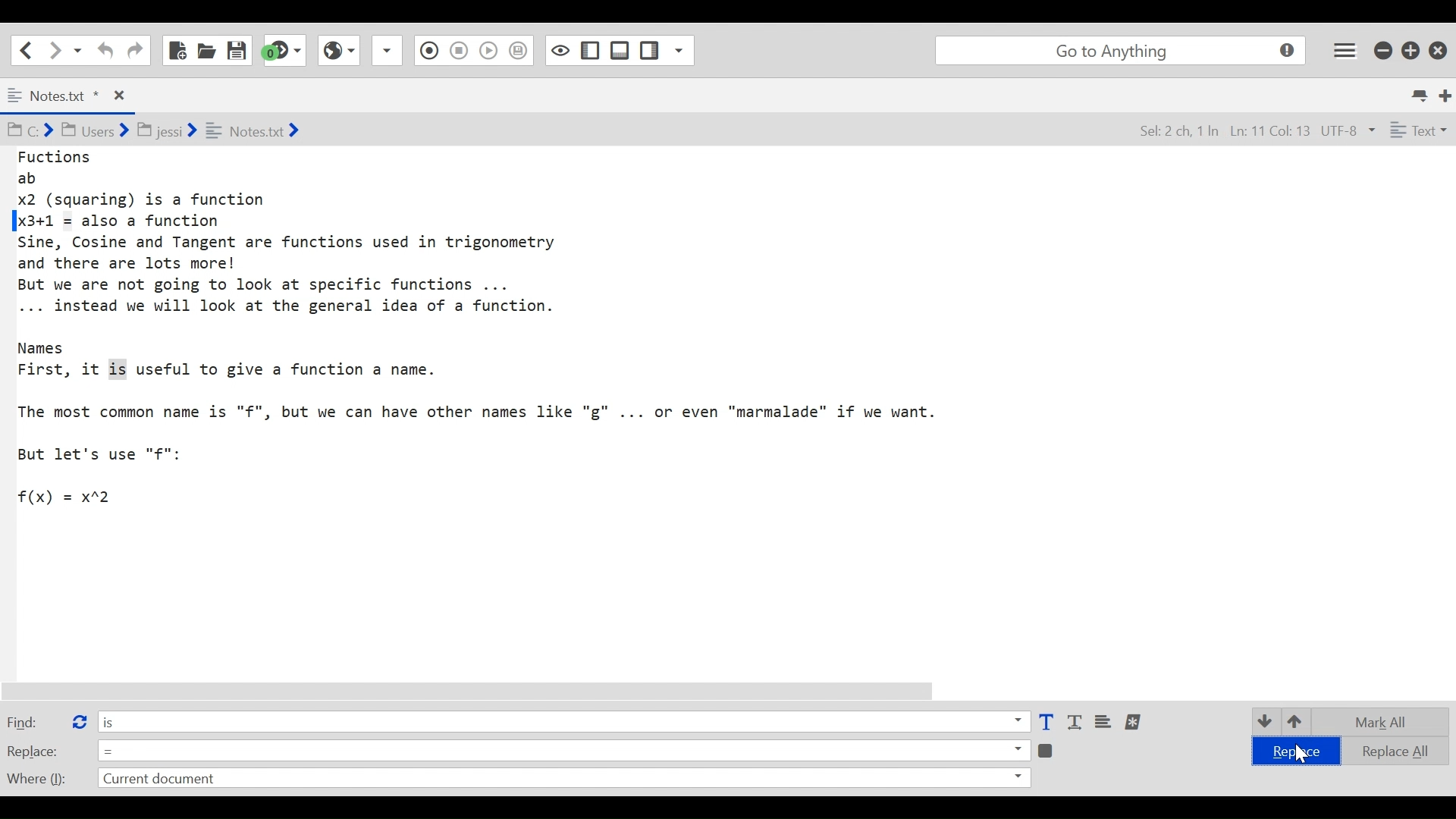  Describe the element at coordinates (1411, 49) in the screenshot. I see `Restore` at that location.